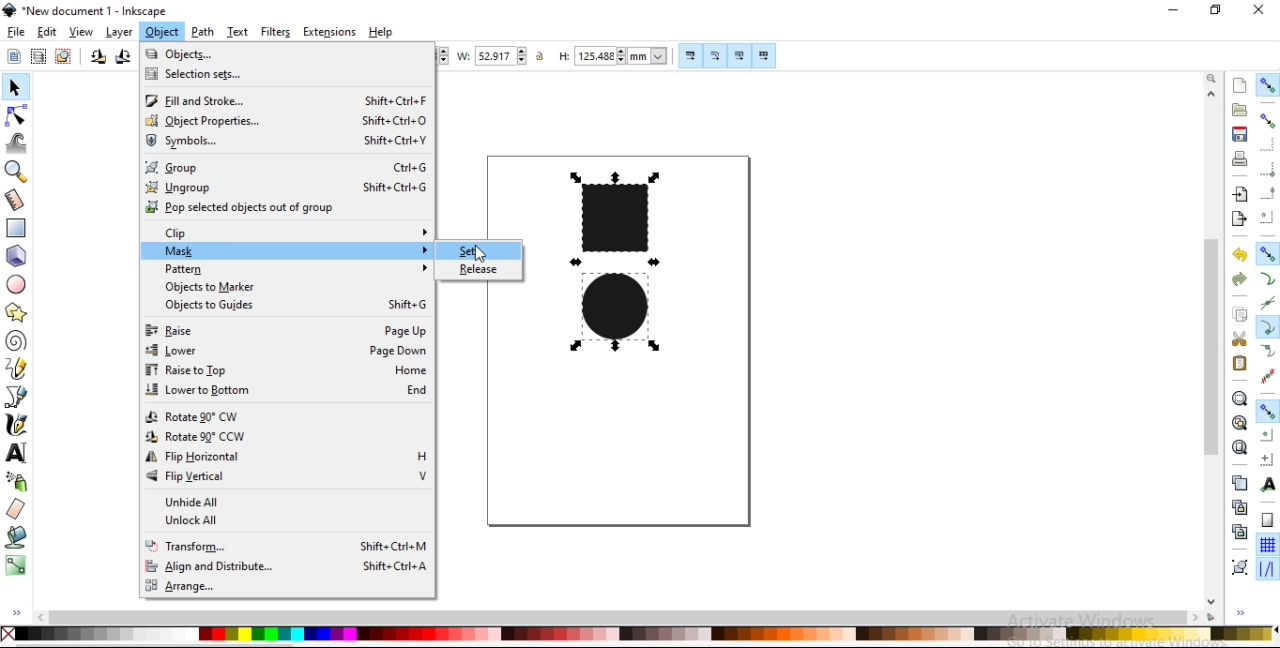 The image size is (1280, 648). What do you see at coordinates (18, 312) in the screenshot?
I see `create stars and polygons` at bounding box center [18, 312].